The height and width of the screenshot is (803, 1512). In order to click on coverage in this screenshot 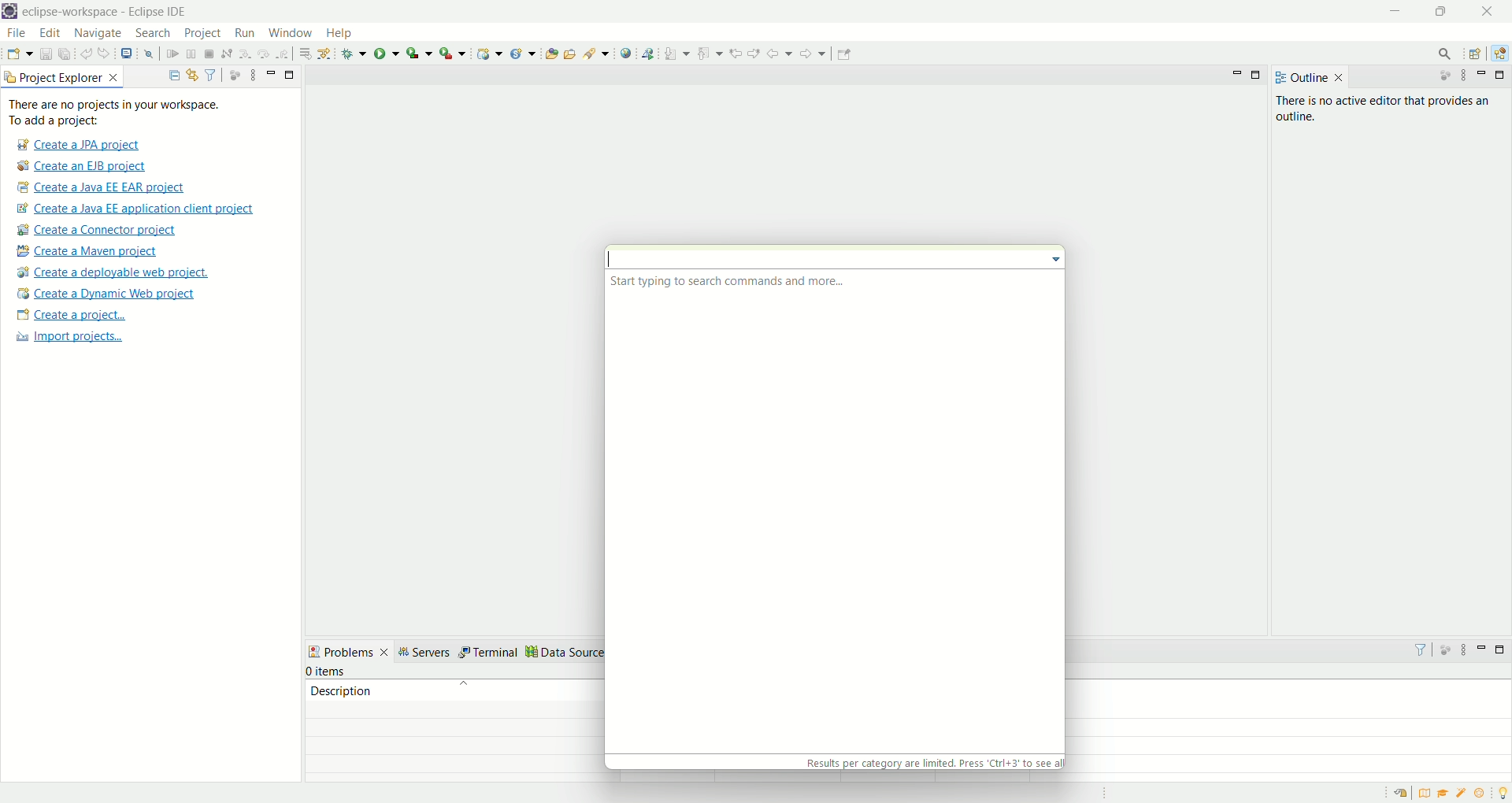, I will do `click(419, 54)`.